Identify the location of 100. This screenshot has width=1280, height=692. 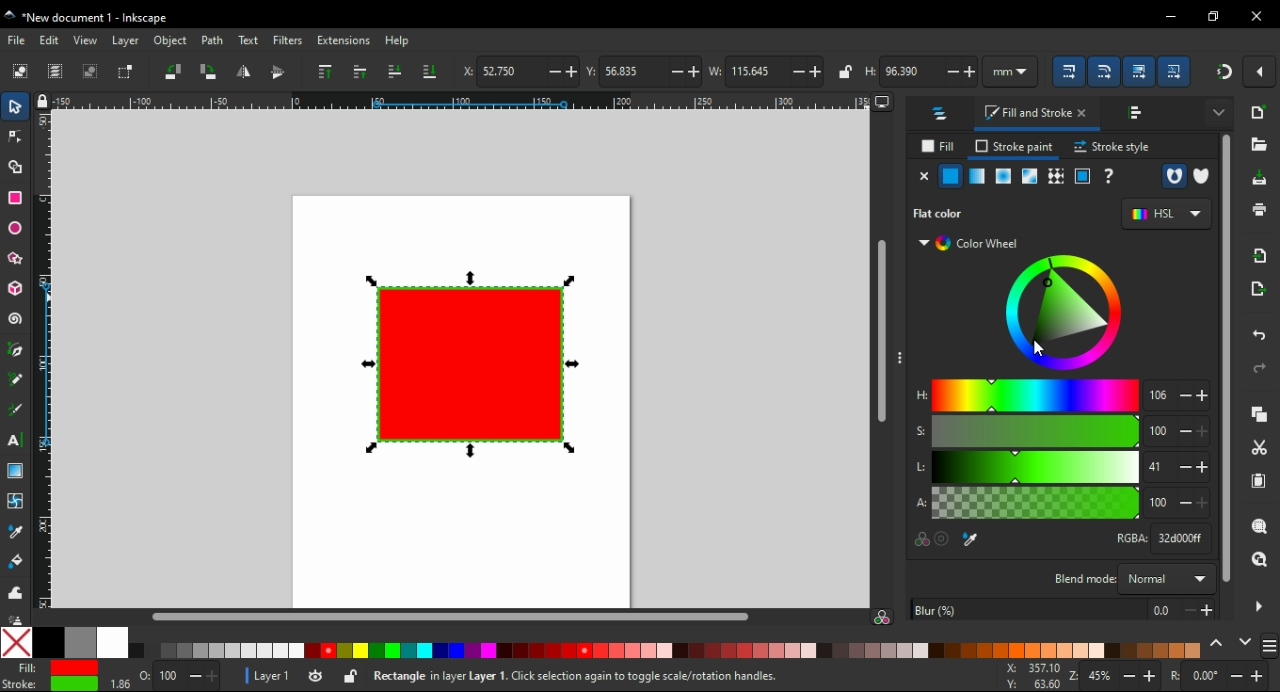
(1158, 431).